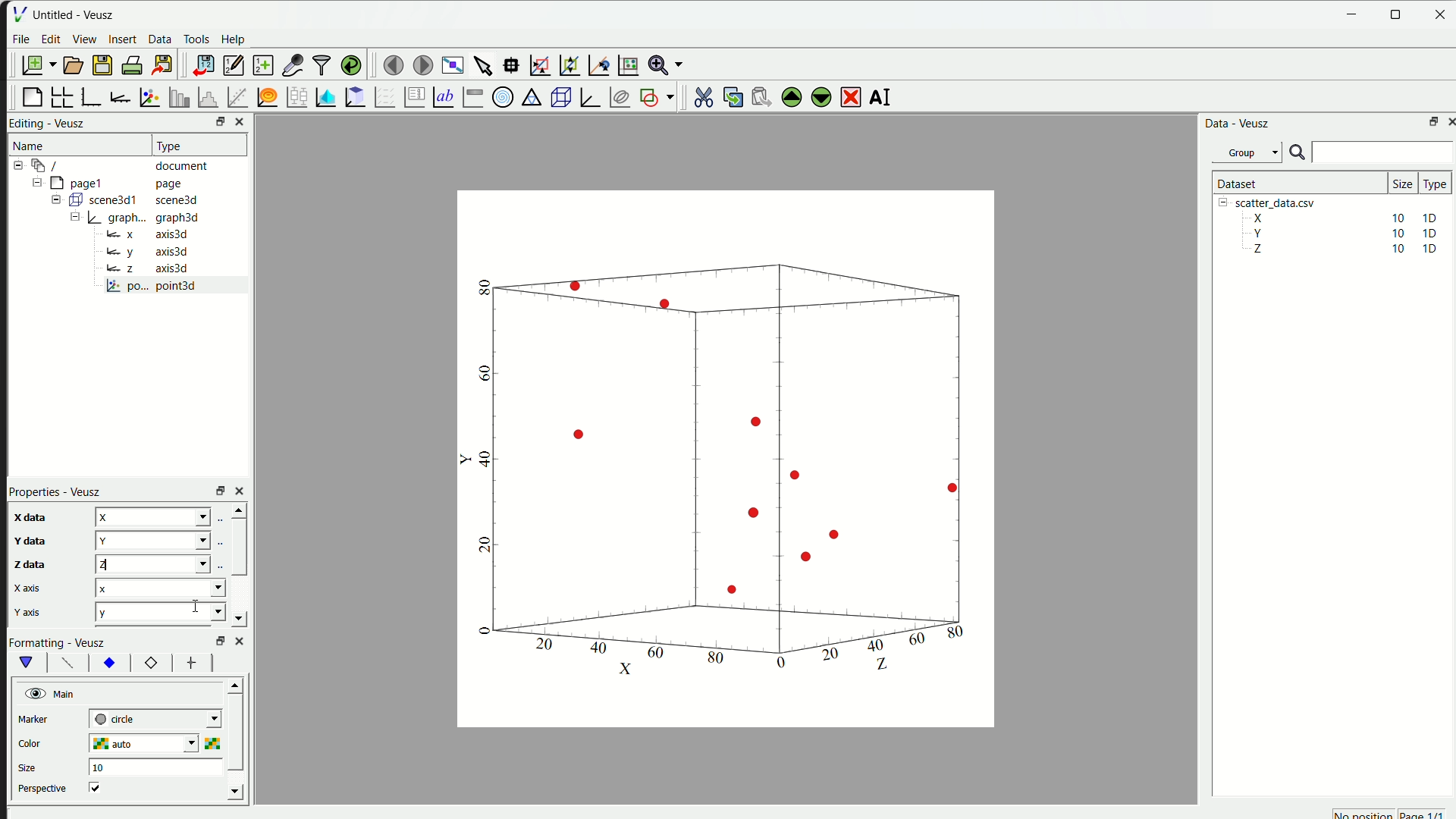 Image resolution: width=1456 pixels, height=819 pixels. Describe the element at coordinates (352, 64) in the screenshot. I see `reload linked dataset` at that location.